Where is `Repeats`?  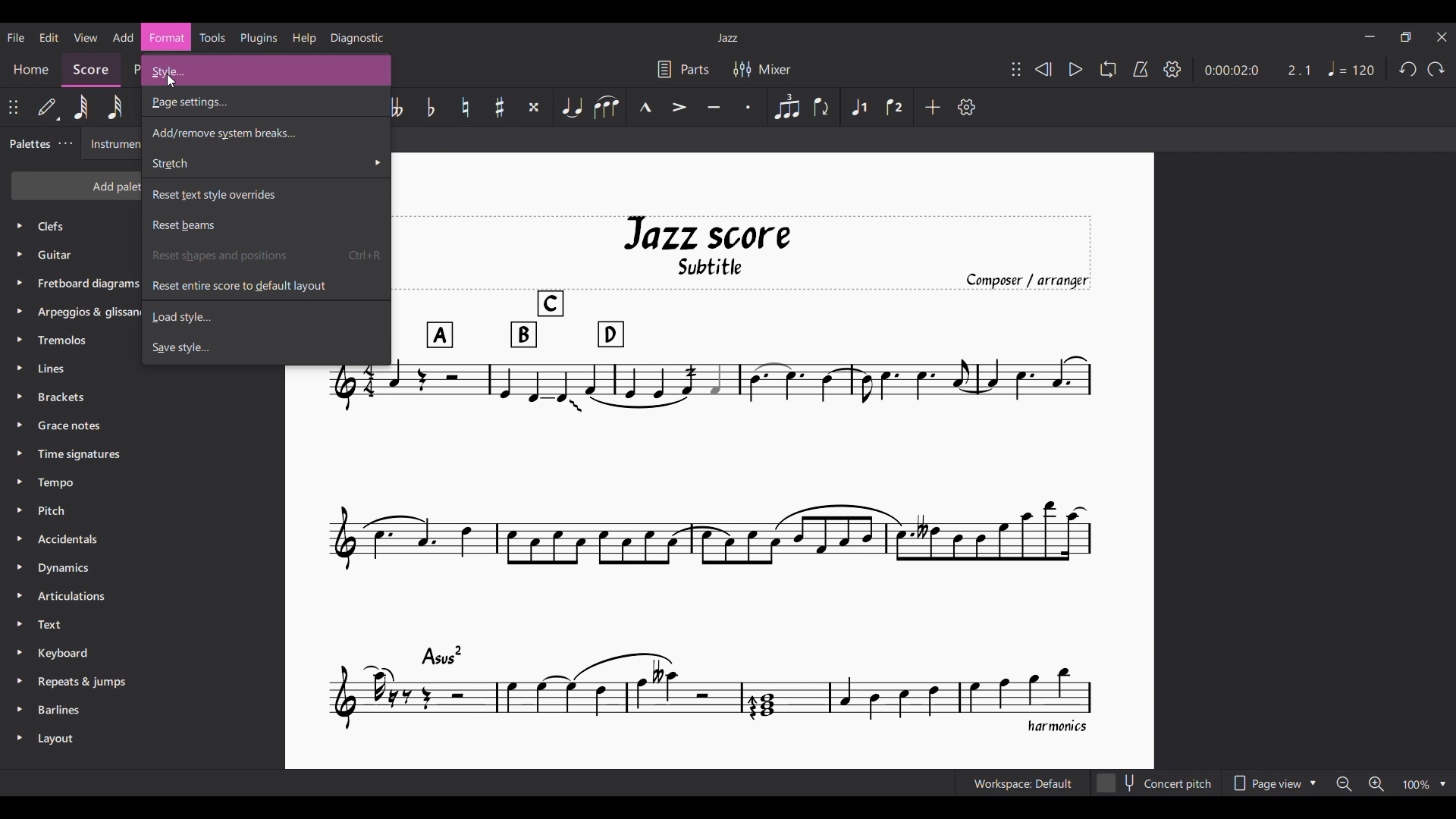 Repeats is located at coordinates (88, 682).